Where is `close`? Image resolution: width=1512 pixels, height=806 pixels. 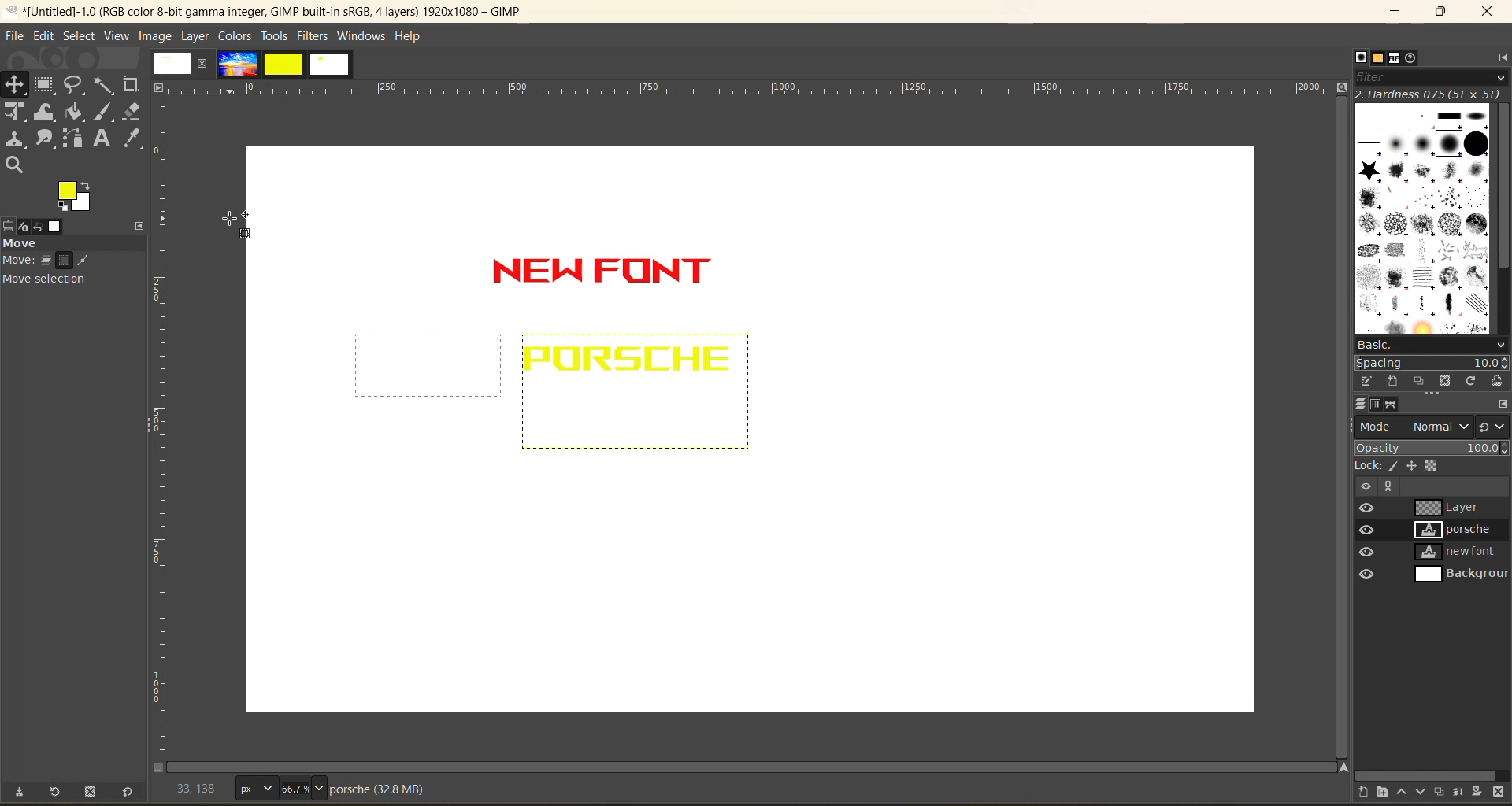
close is located at coordinates (202, 63).